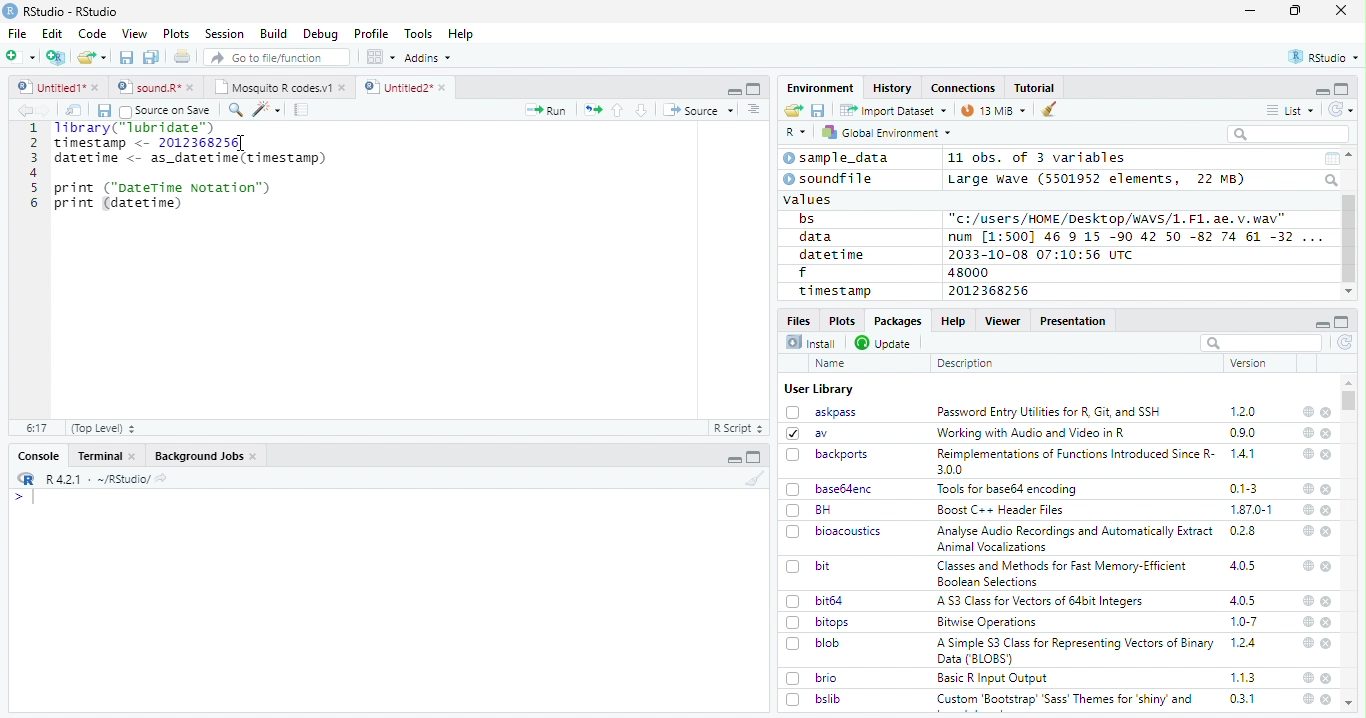 The width and height of the screenshot is (1366, 718). I want to click on values, so click(809, 198).